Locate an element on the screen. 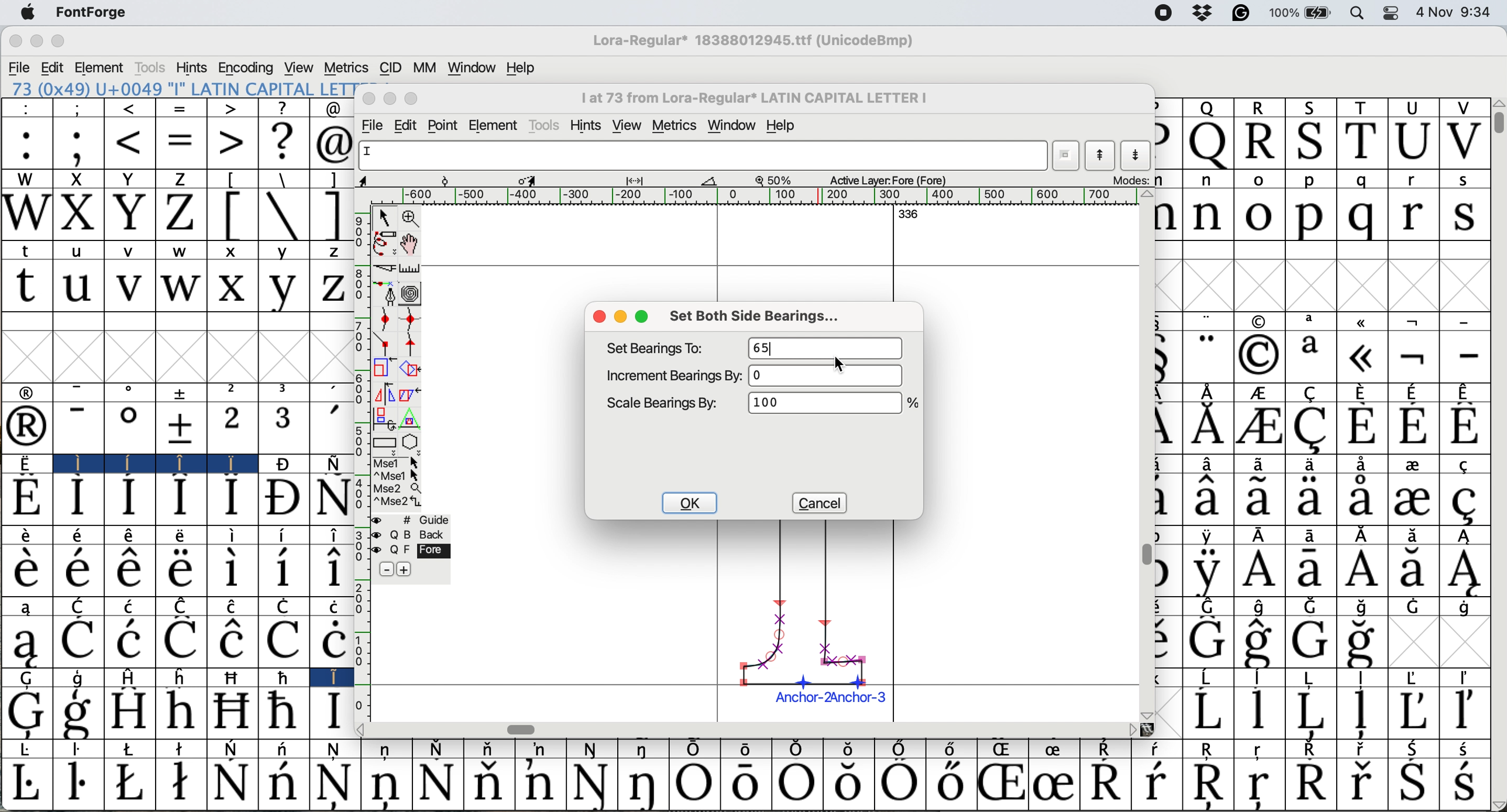  Symbol is located at coordinates (233, 749).